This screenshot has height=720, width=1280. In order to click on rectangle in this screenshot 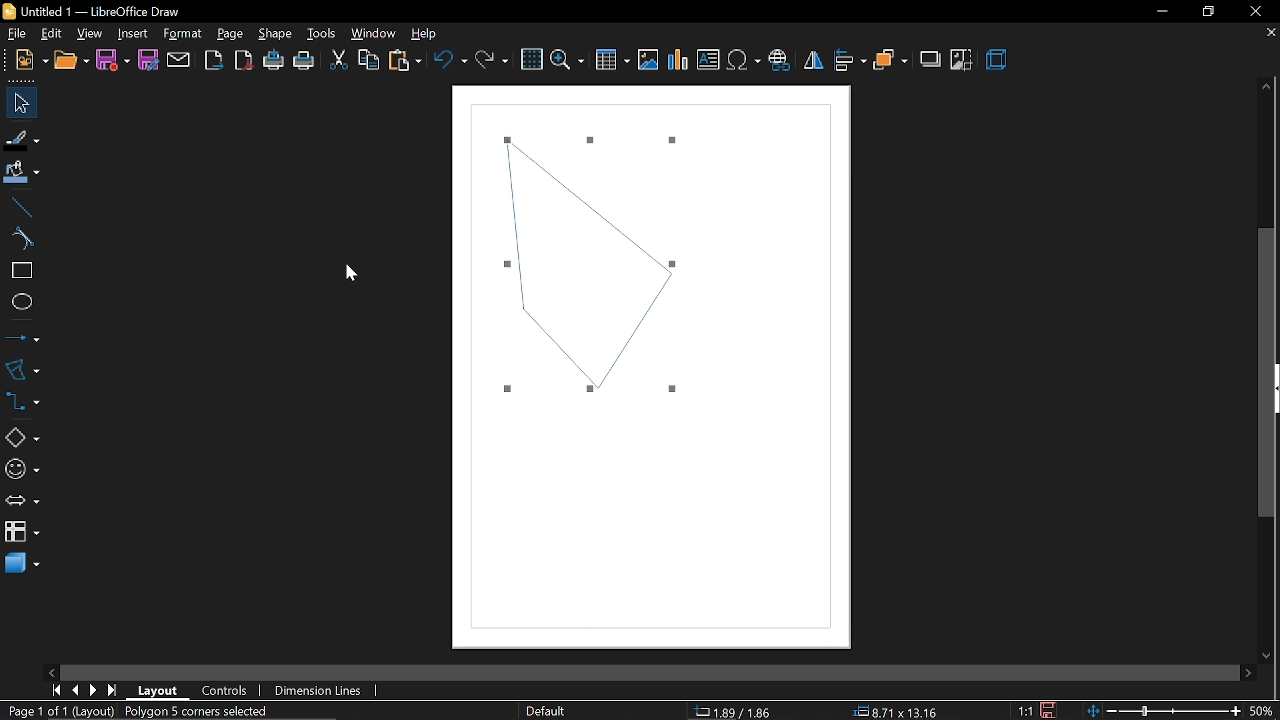, I will do `click(19, 272)`.